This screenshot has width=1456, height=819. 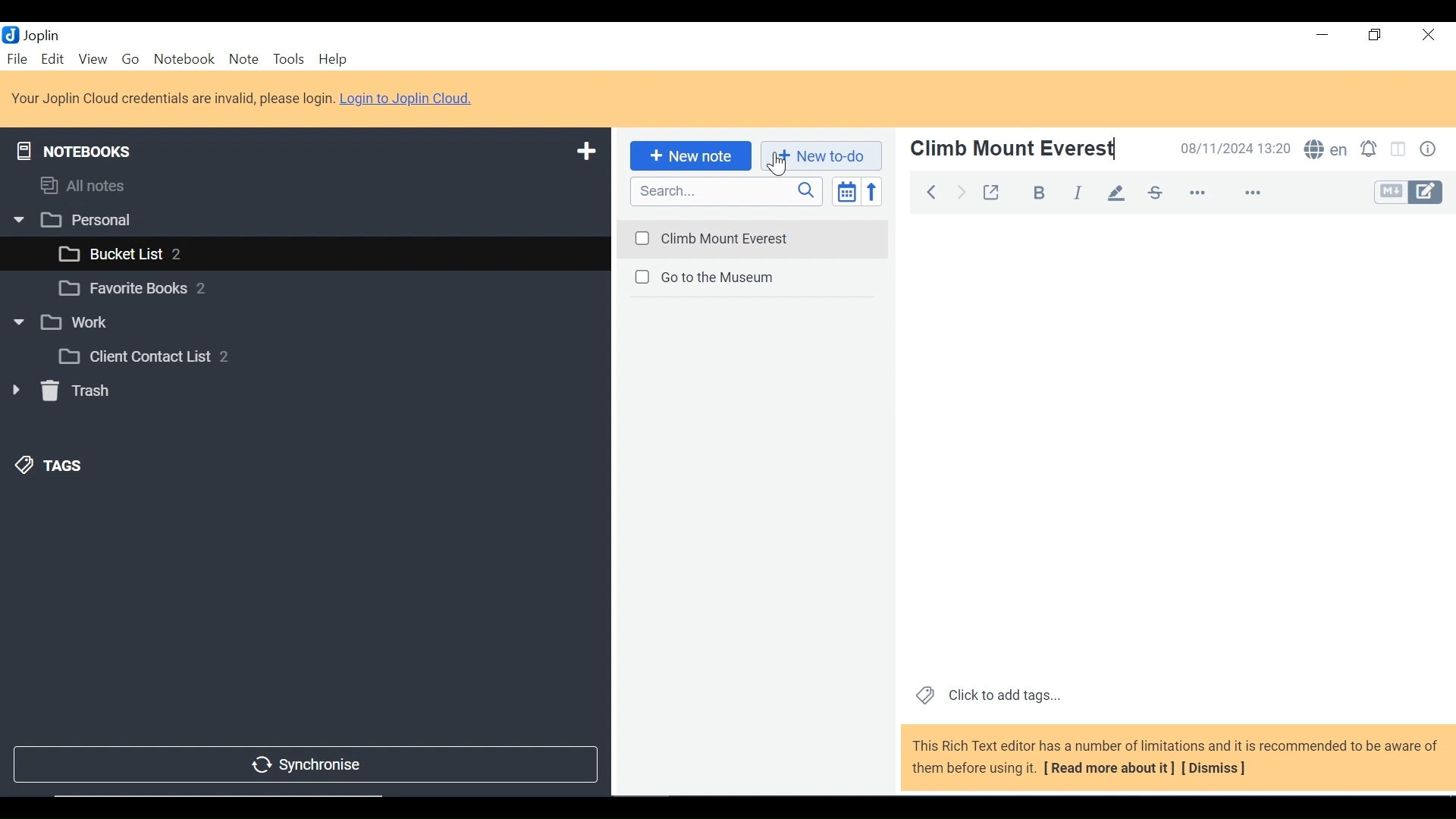 What do you see at coordinates (1400, 149) in the screenshot?
I see `Toggle editor layout` at bounding box center [1400, 149].